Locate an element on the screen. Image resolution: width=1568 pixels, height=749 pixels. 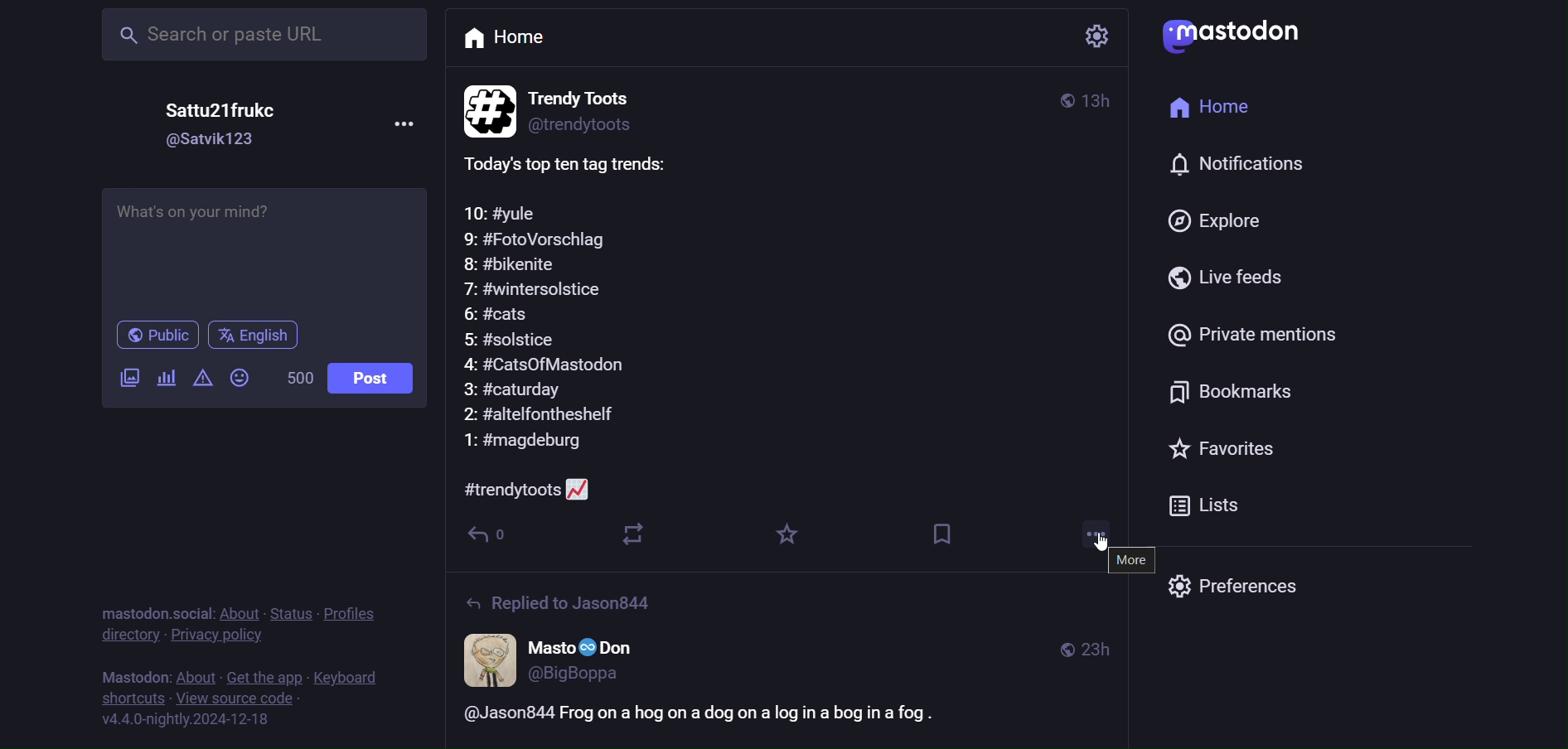
word limit is located at coordinates (297, 381).